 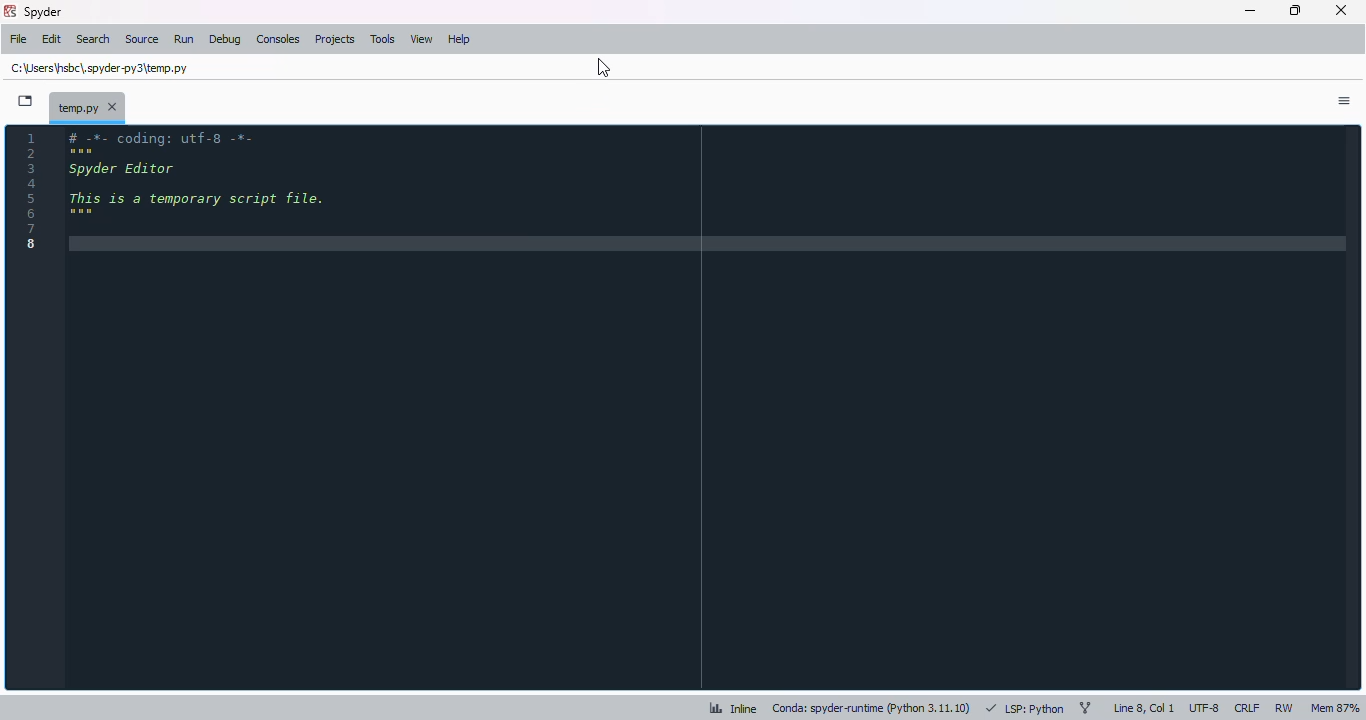 What do you see at coordinates (1251, 11) in the screenshot?
I see `minimize` at bounding box center [1251, 11].